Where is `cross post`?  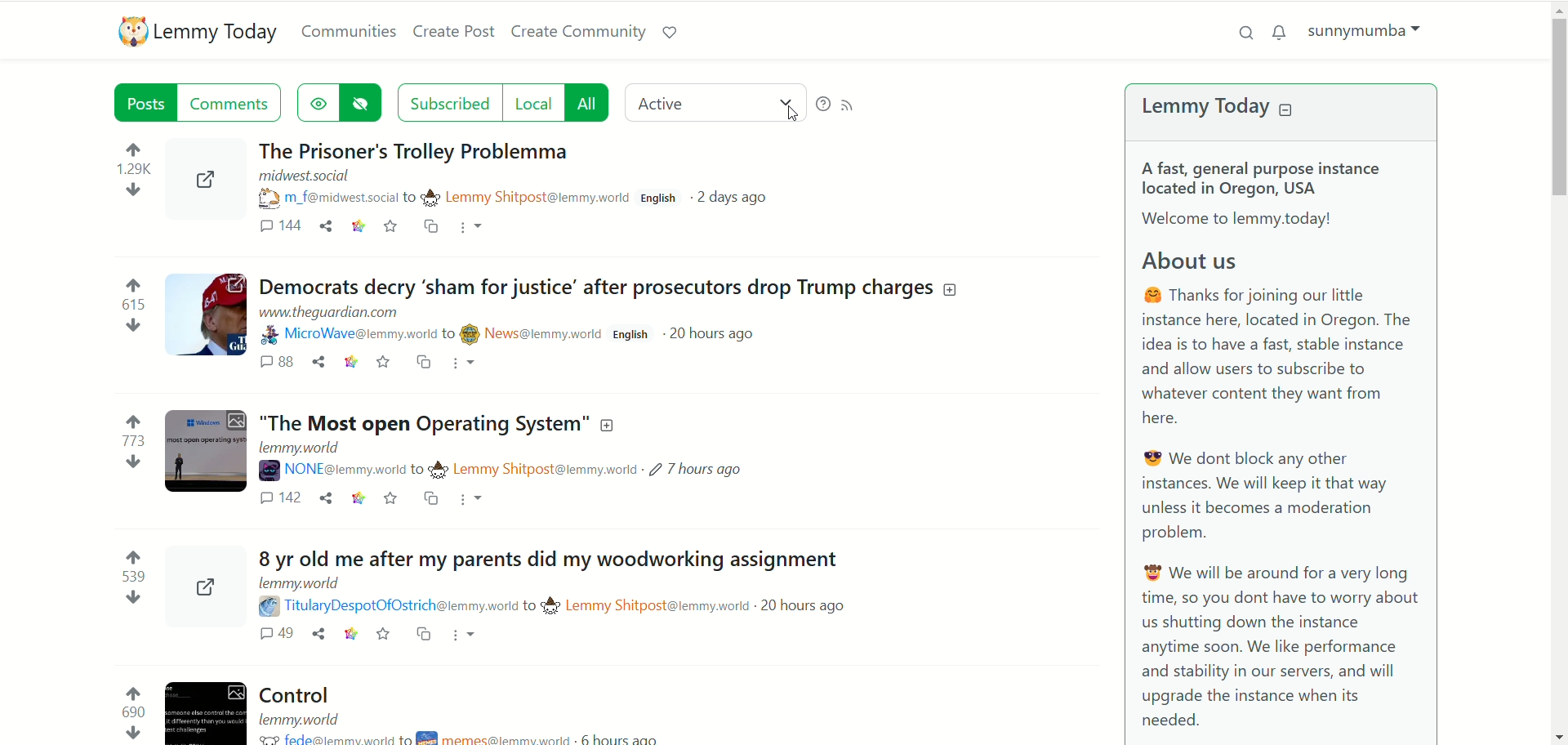 cross post is located at coordinates (425, 635).